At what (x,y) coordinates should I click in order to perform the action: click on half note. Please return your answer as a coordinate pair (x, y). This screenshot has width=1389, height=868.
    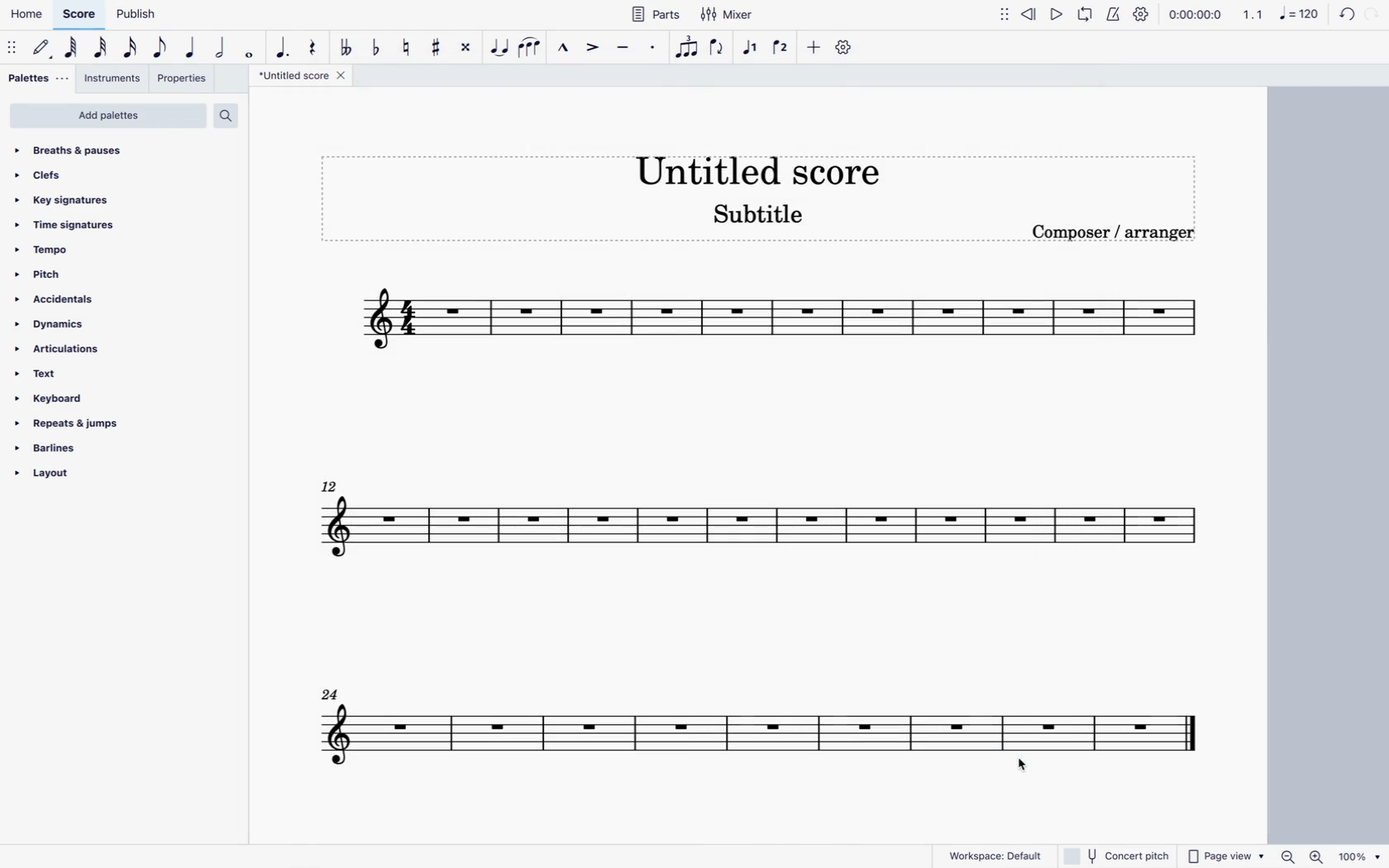
    Looking at the image, I should click on (218, 50).